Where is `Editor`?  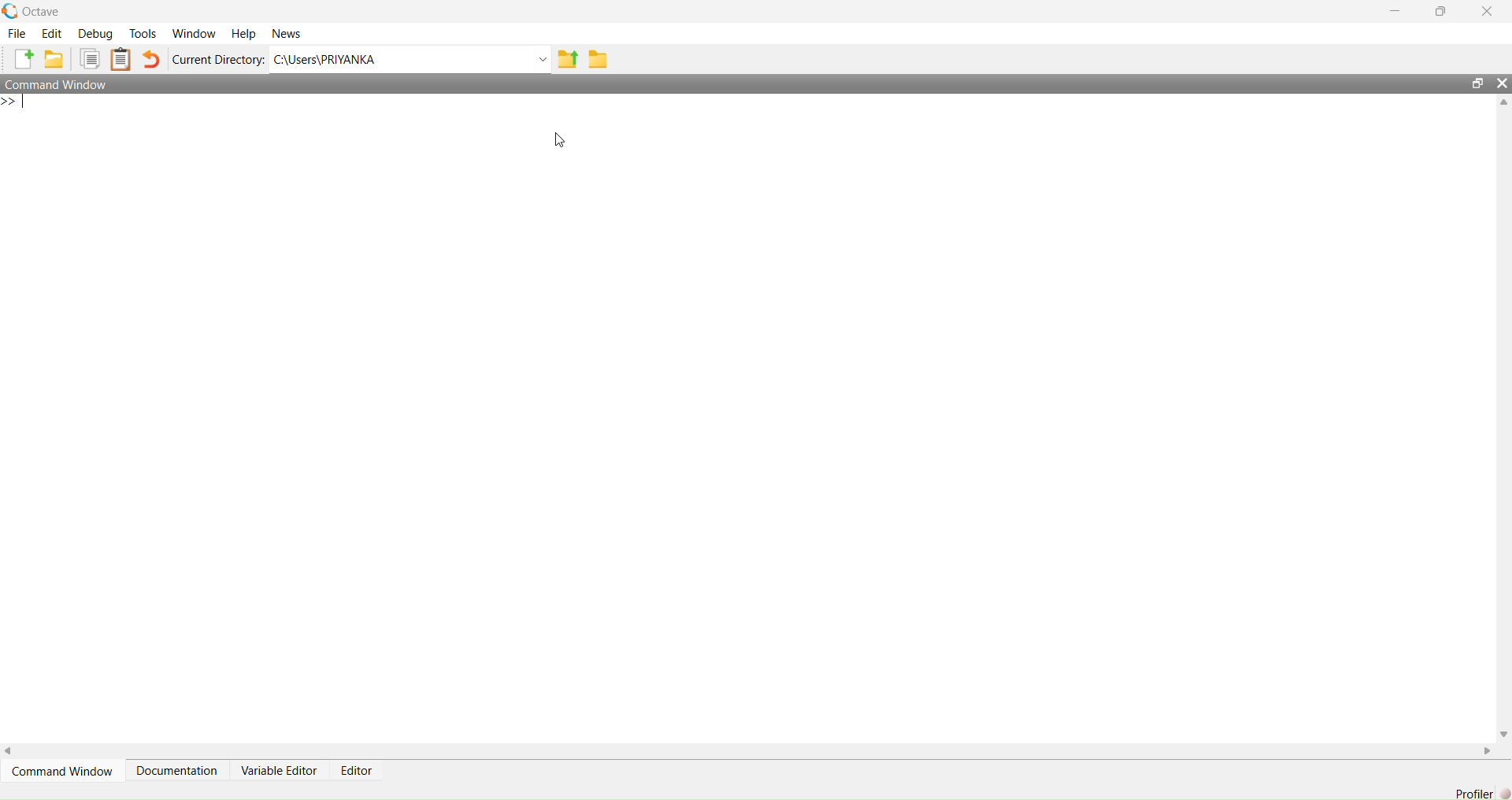 Editor is located at coordinates (357, 770).